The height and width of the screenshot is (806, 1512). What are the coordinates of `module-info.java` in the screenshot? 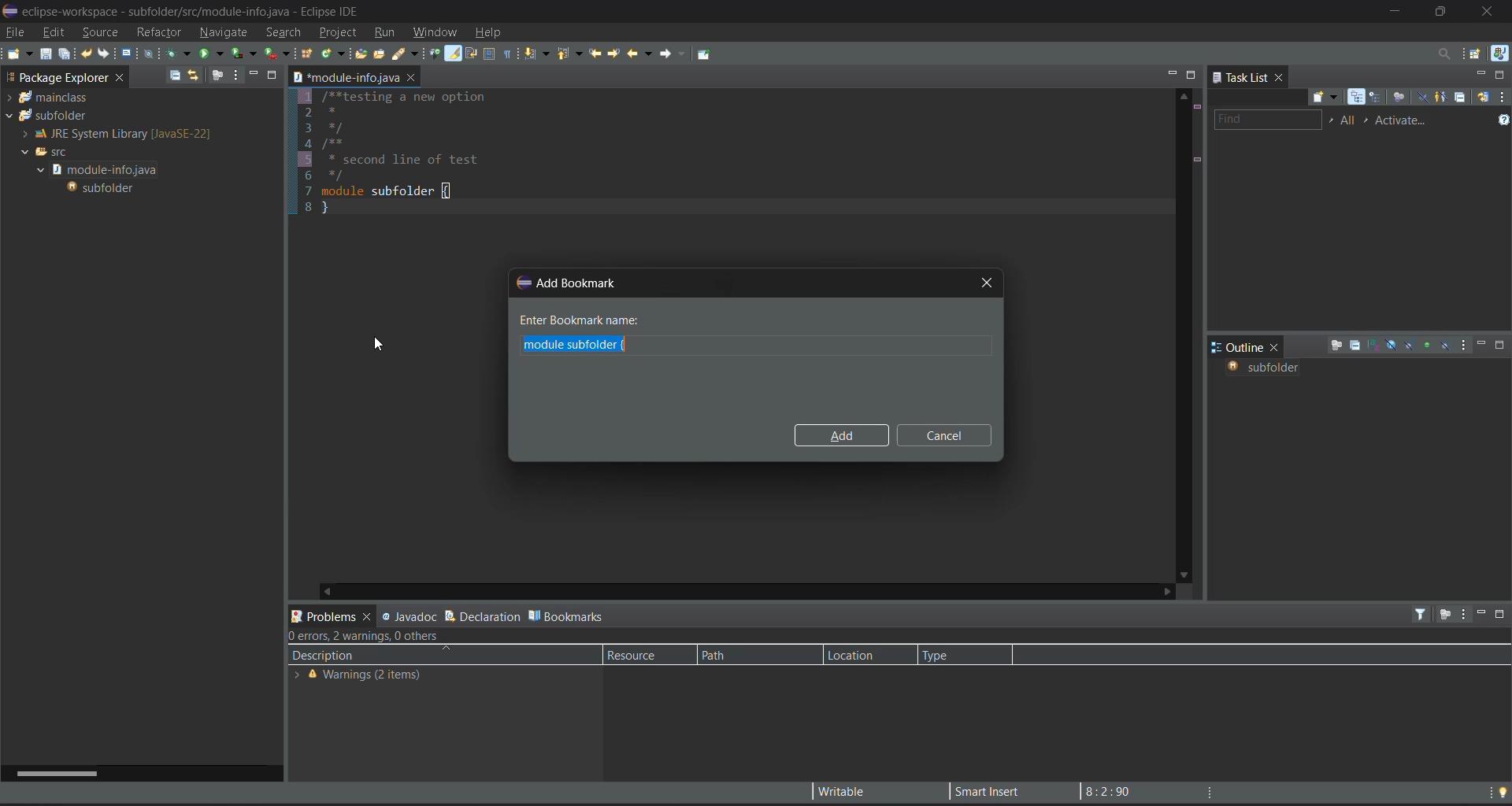 It's located at (346, 77).